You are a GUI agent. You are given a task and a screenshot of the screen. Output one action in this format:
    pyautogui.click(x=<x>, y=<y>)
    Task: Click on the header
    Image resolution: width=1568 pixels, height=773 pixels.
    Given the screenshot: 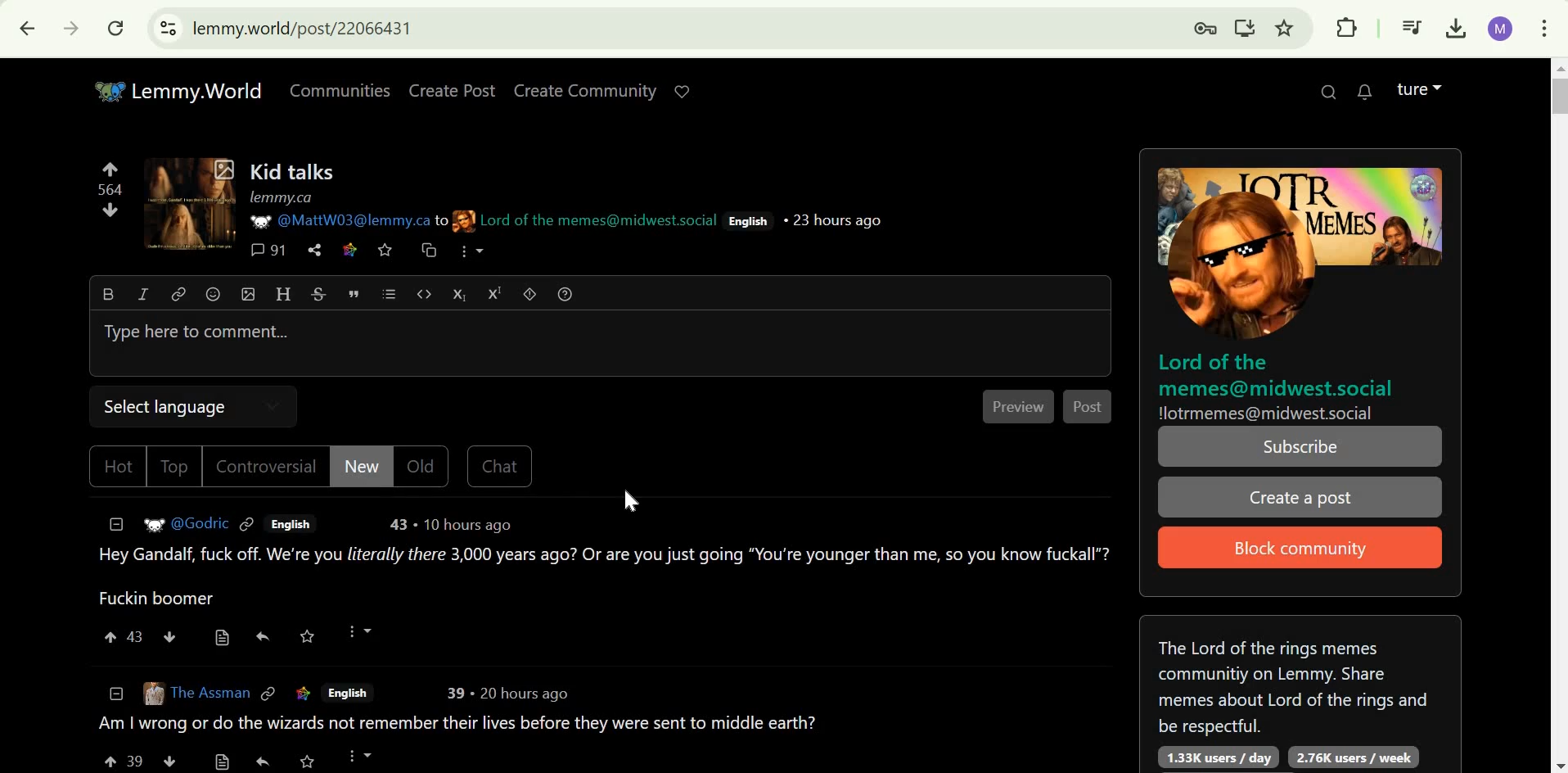 What is the action you would take?
    pyautogui.click(x=282, y=293)
    